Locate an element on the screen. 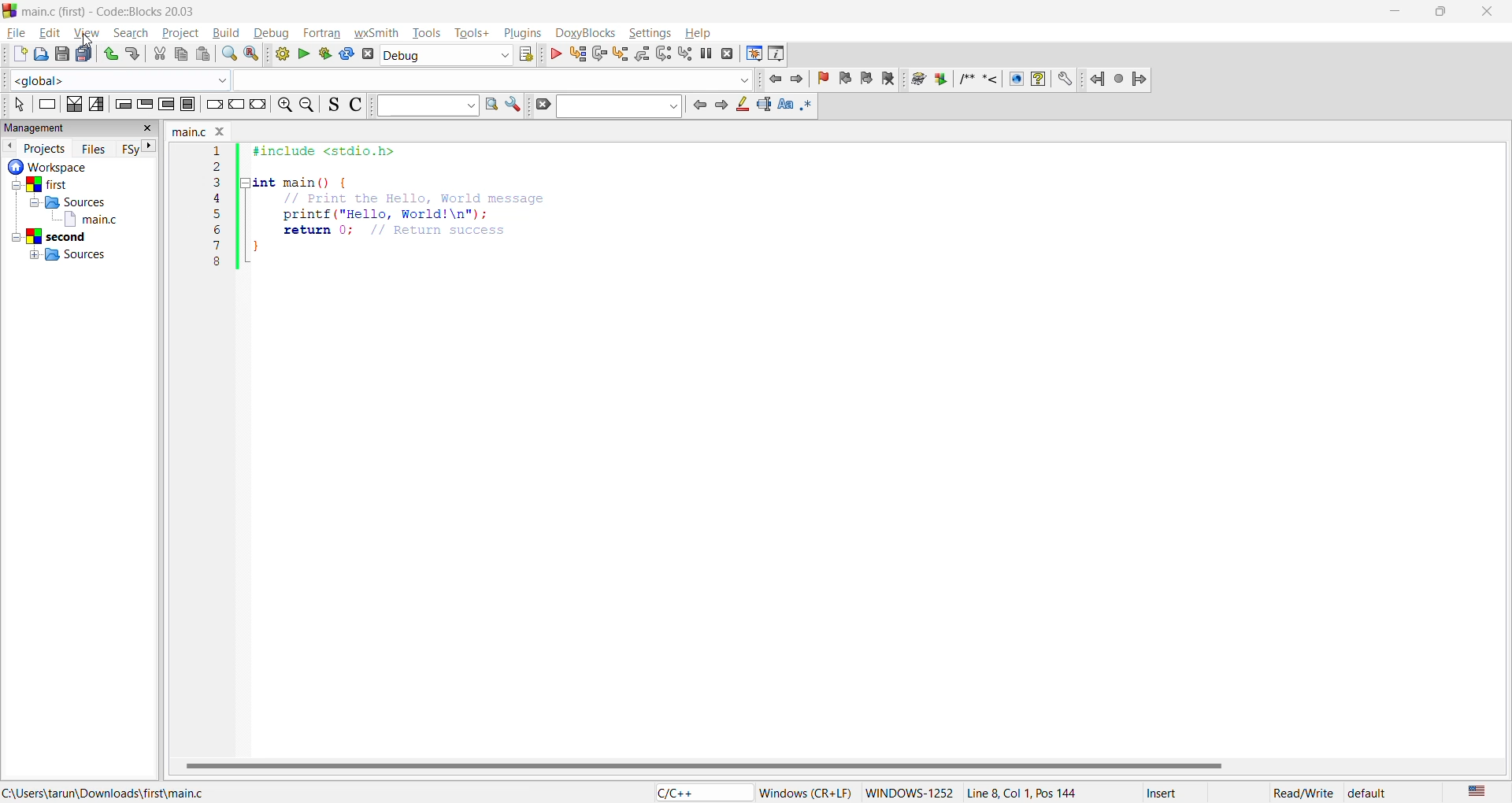 This screenshot has width=1512, height=803. management is located at coordinates (48, 126).